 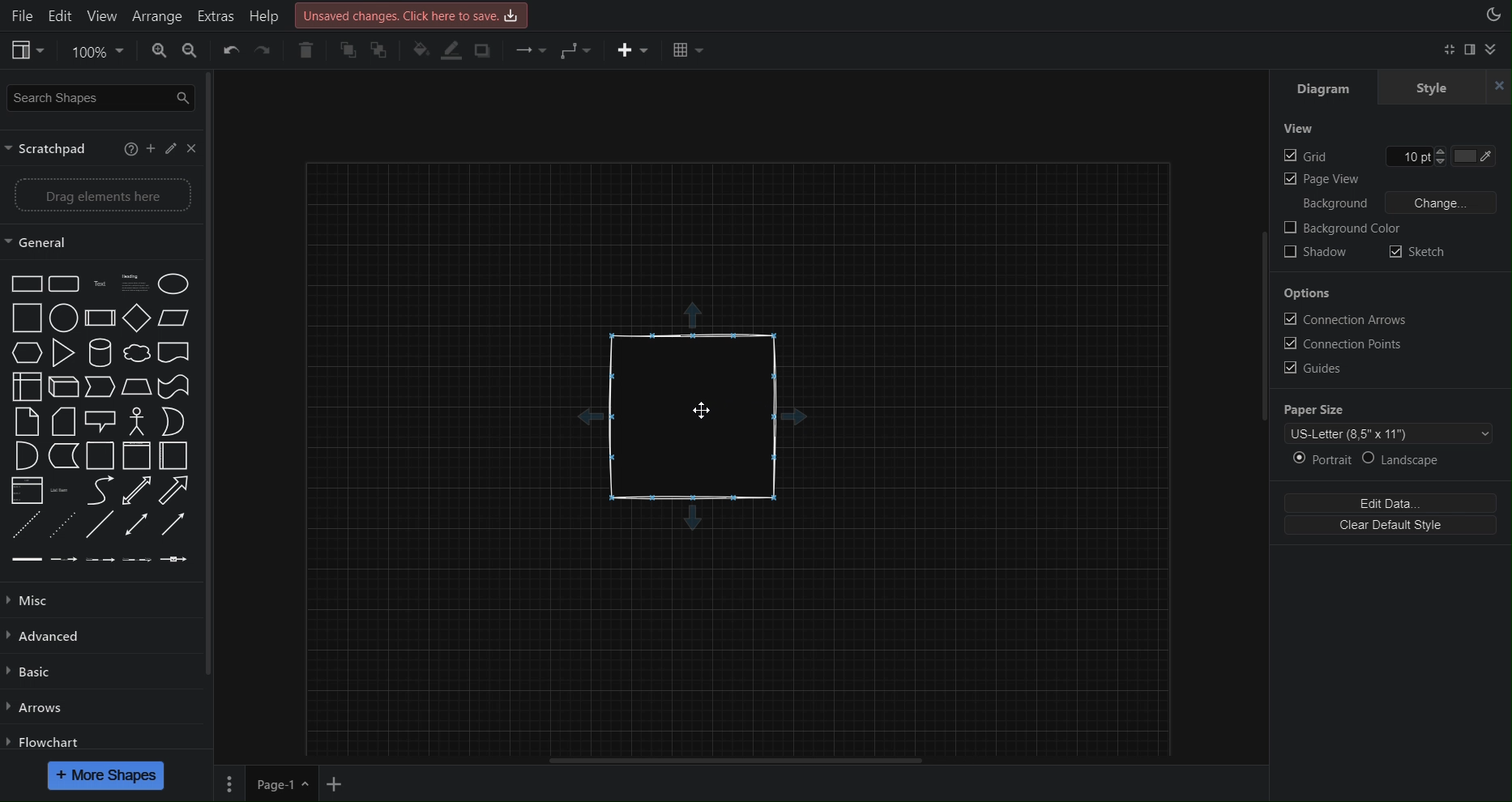 I want to click on Unsaved changes. Click here to save, so click(x=410, y=14).